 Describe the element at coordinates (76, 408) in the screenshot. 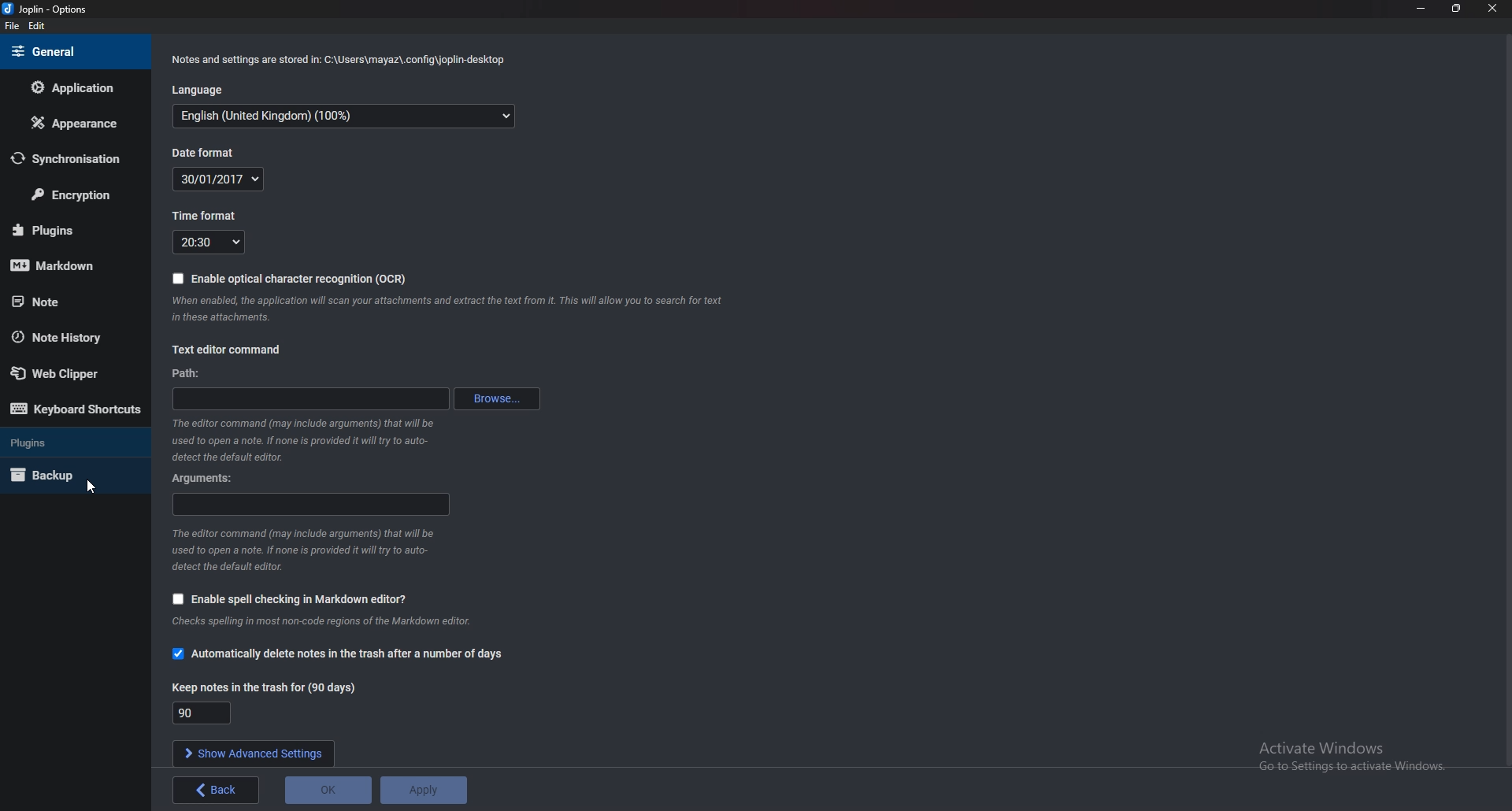

I see `Keyboard shortcuts` at that location.